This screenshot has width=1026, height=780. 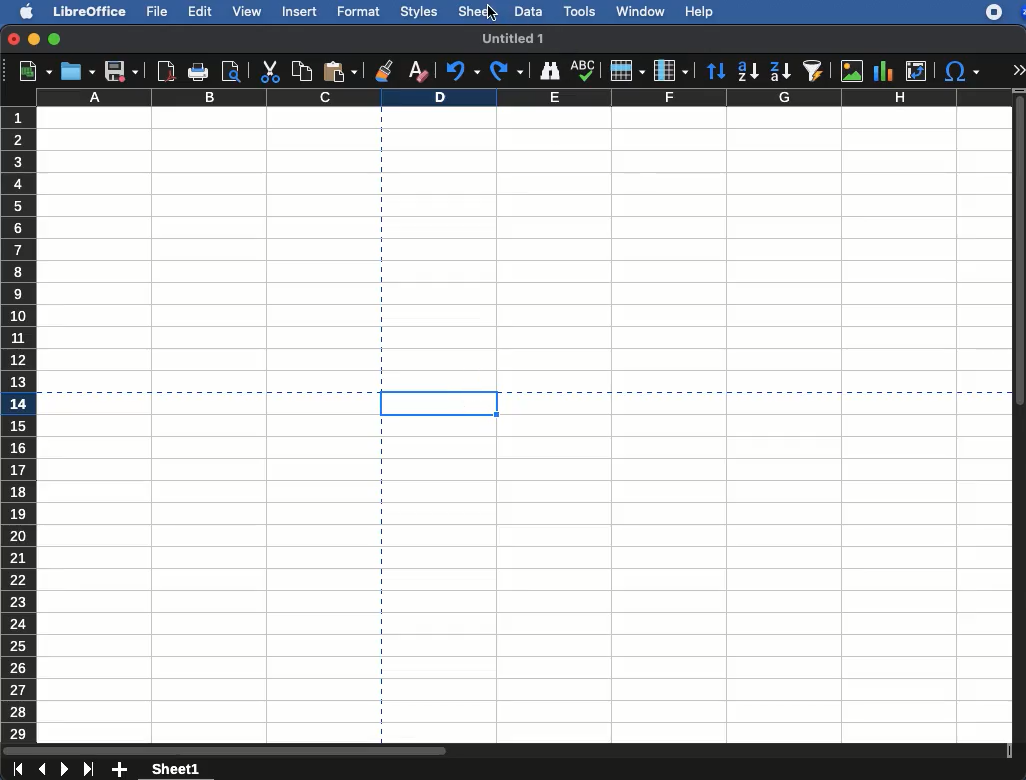 What do you see at coordinates (461, 70) in the screenshot?
I see `undo` at bounding box center [461, 70].